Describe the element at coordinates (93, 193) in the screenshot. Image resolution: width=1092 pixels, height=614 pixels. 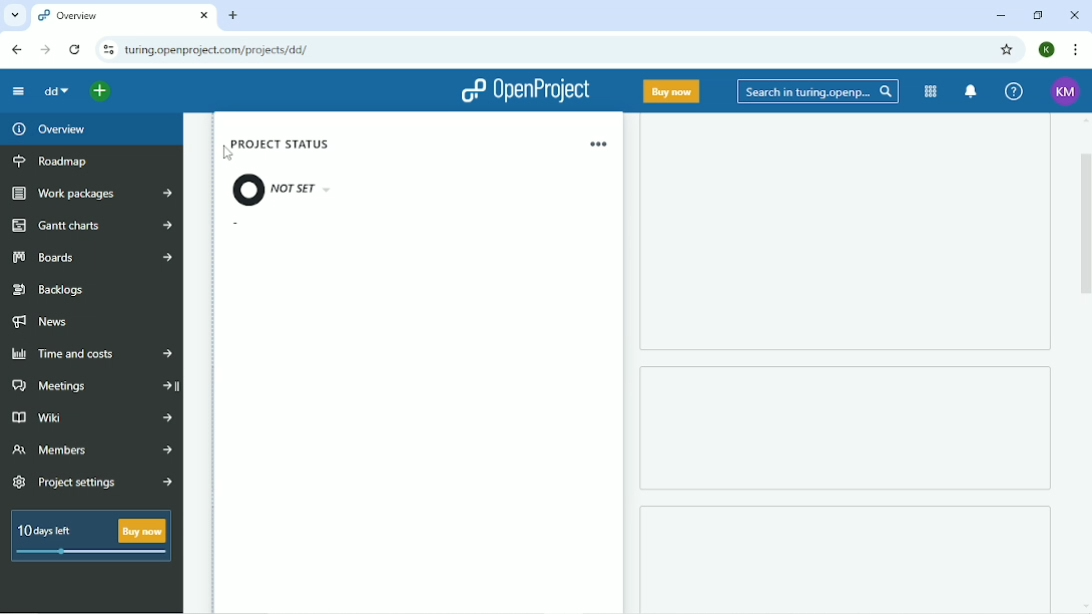
I see `Work packages` at that location.